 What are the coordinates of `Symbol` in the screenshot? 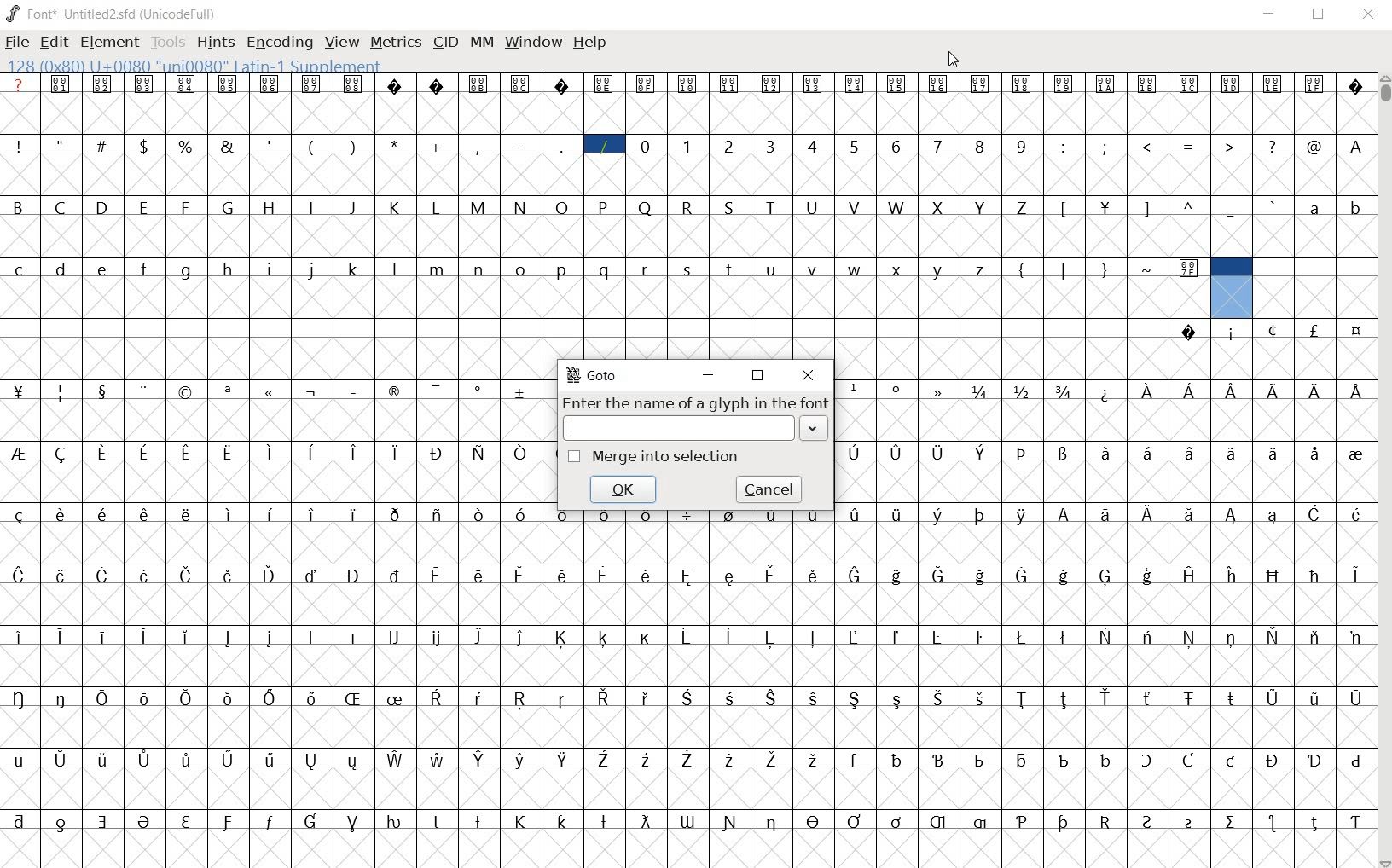 It's located at (1273, 823).